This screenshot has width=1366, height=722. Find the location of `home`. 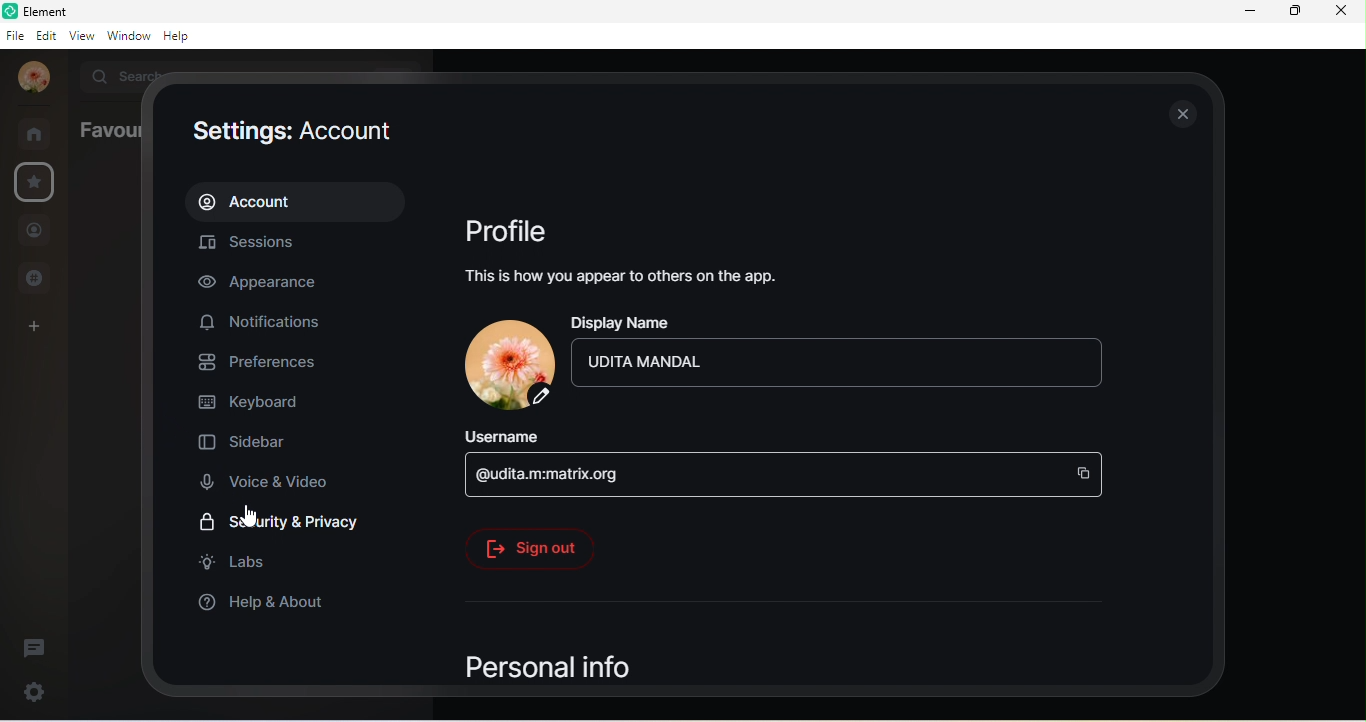

home is located at coordinates (40, 134).